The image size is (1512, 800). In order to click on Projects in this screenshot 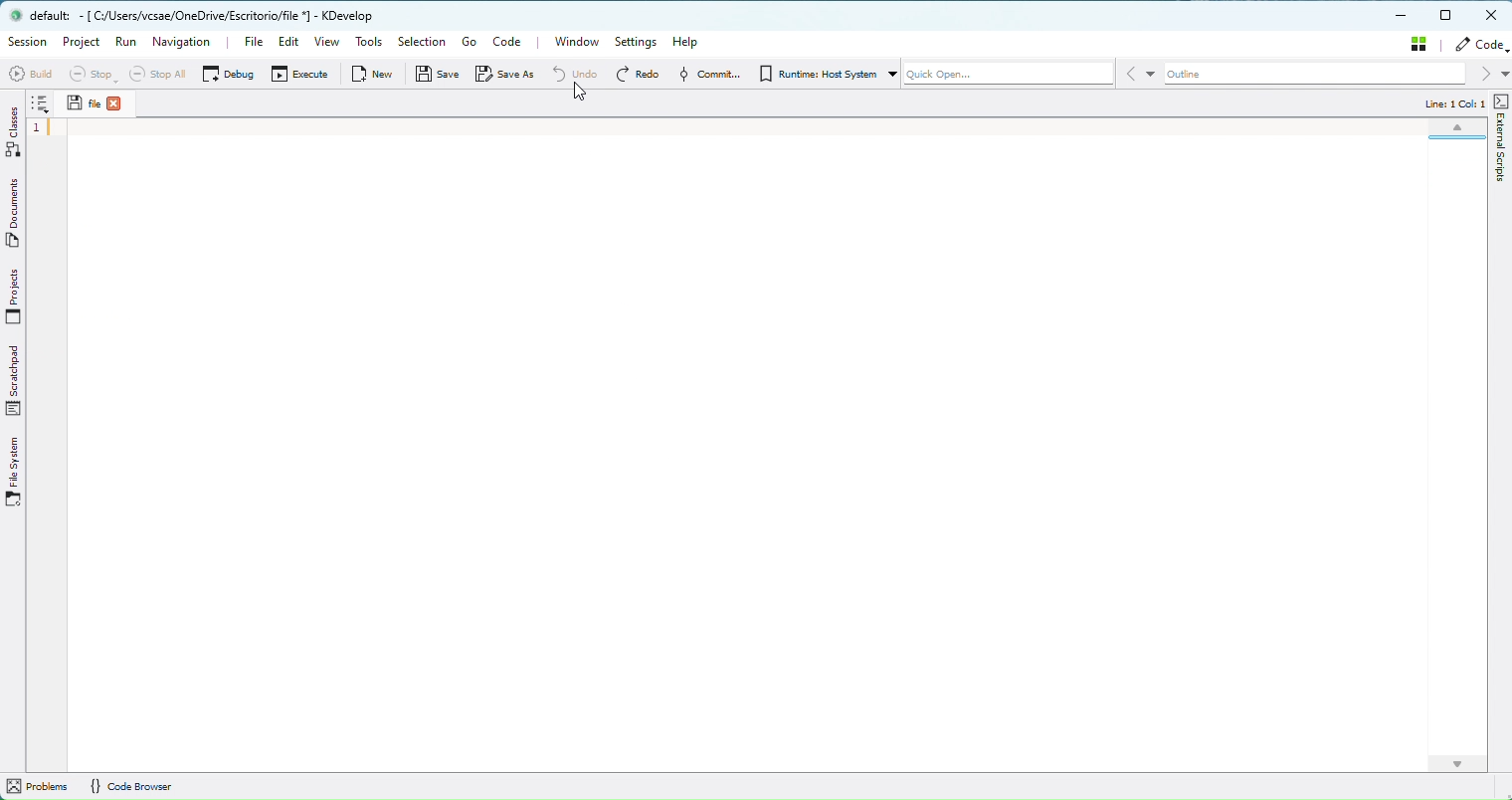, I will do `click(17, 292)`.